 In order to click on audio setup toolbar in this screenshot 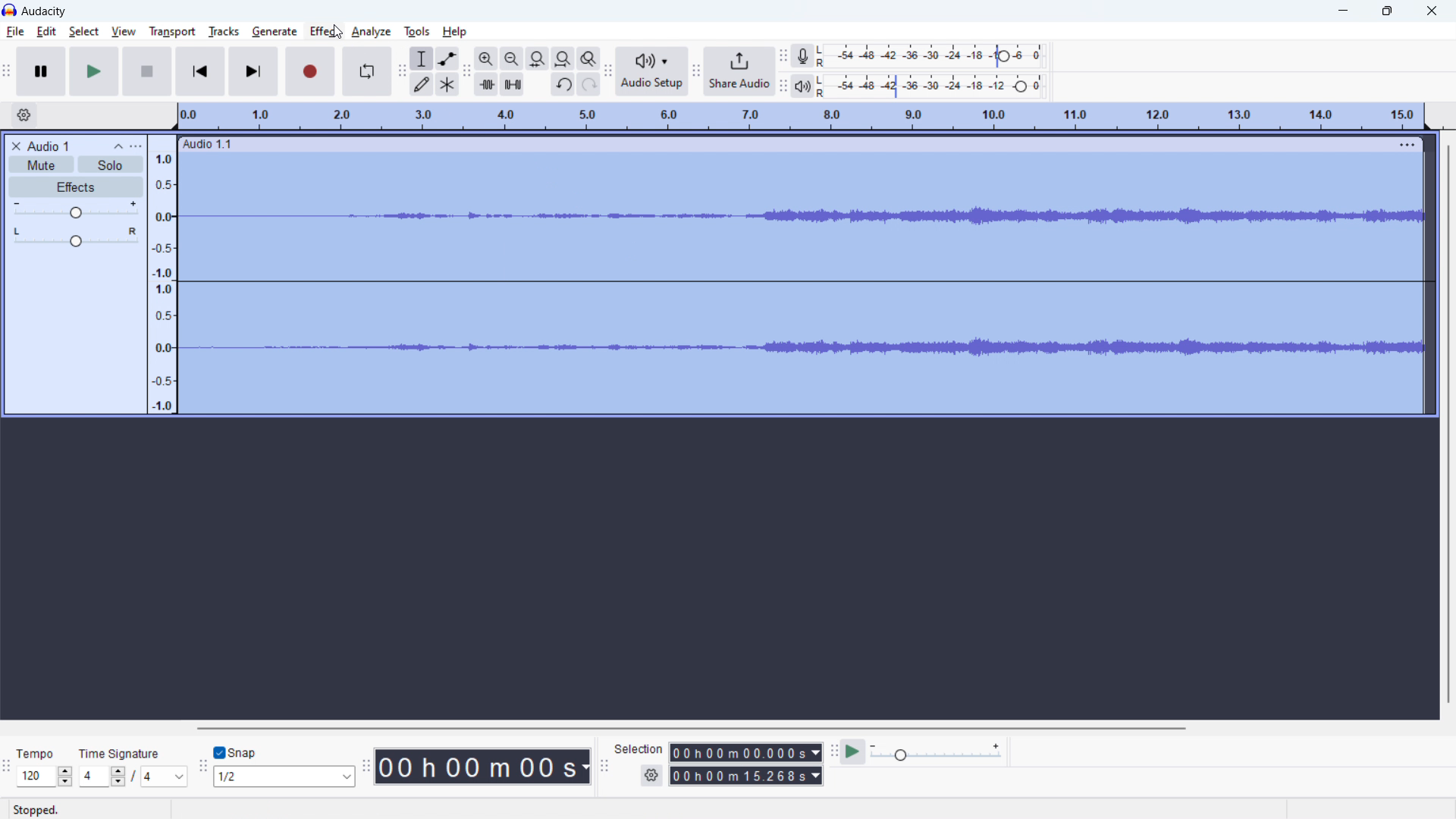, I will do `click(608, 71)`.